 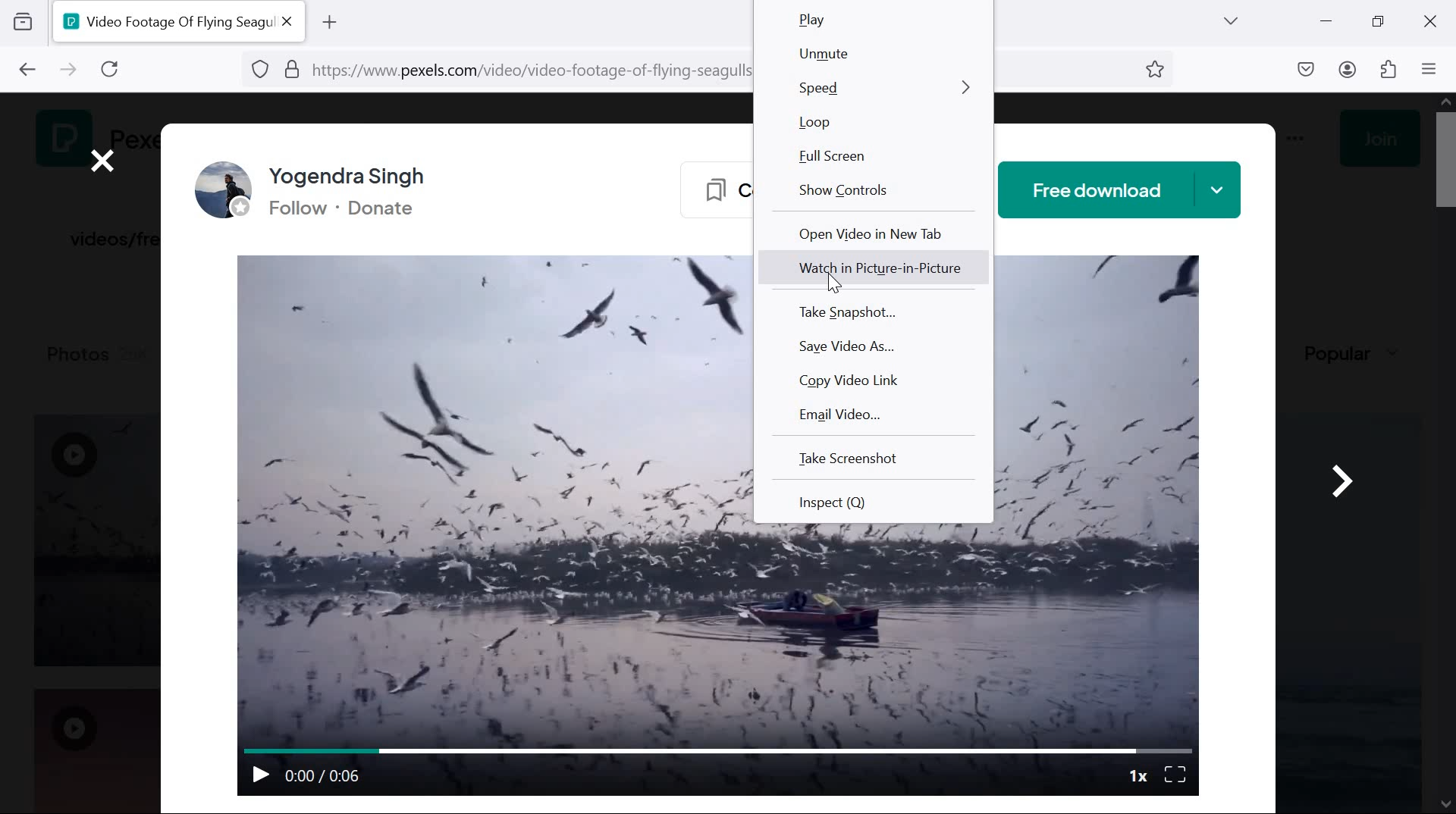 I want to click on Video Footage Of Flying Seagu, so click(x=165, y=21).